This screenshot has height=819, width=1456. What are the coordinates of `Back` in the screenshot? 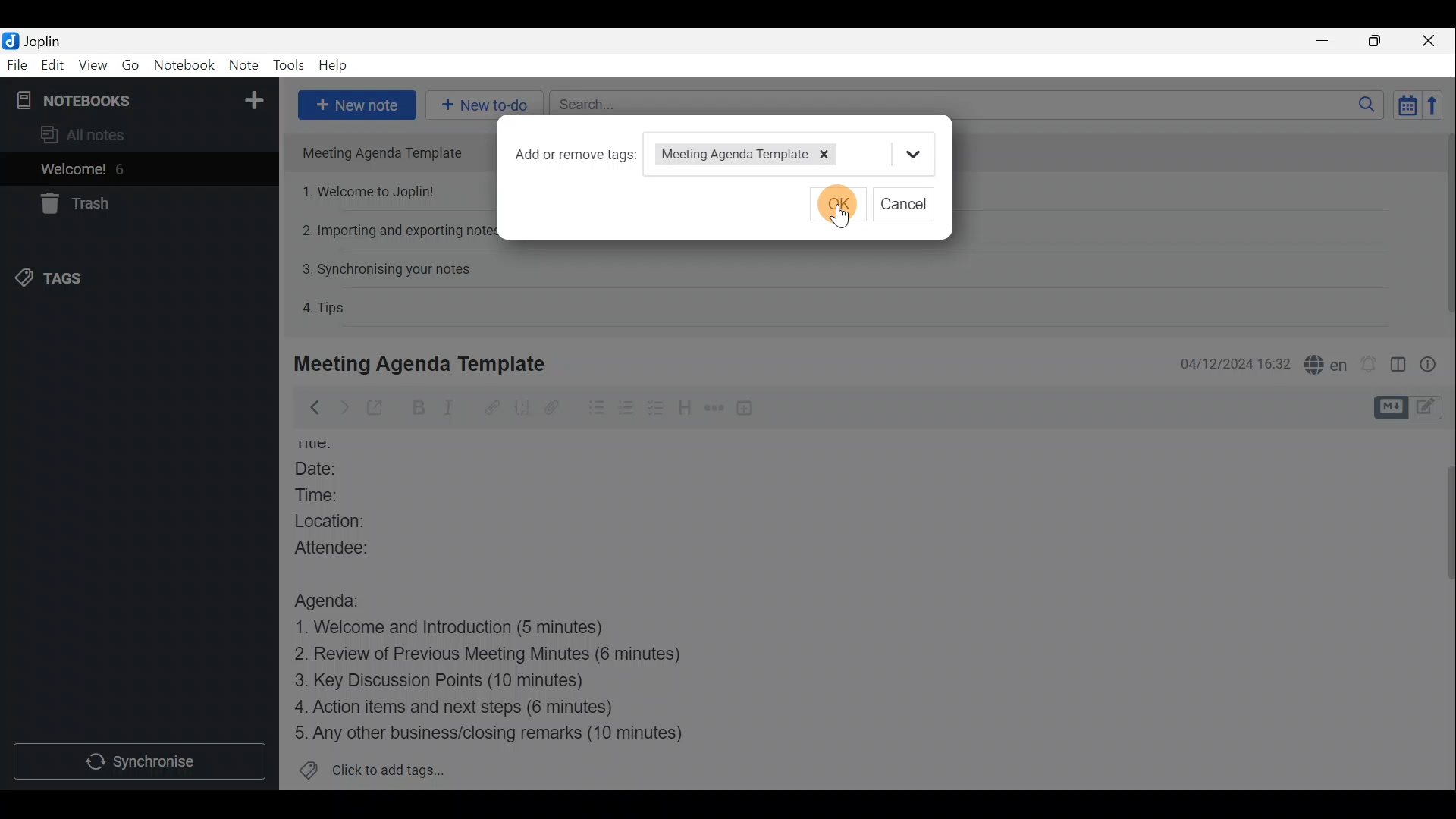 It's located at (310, 410).